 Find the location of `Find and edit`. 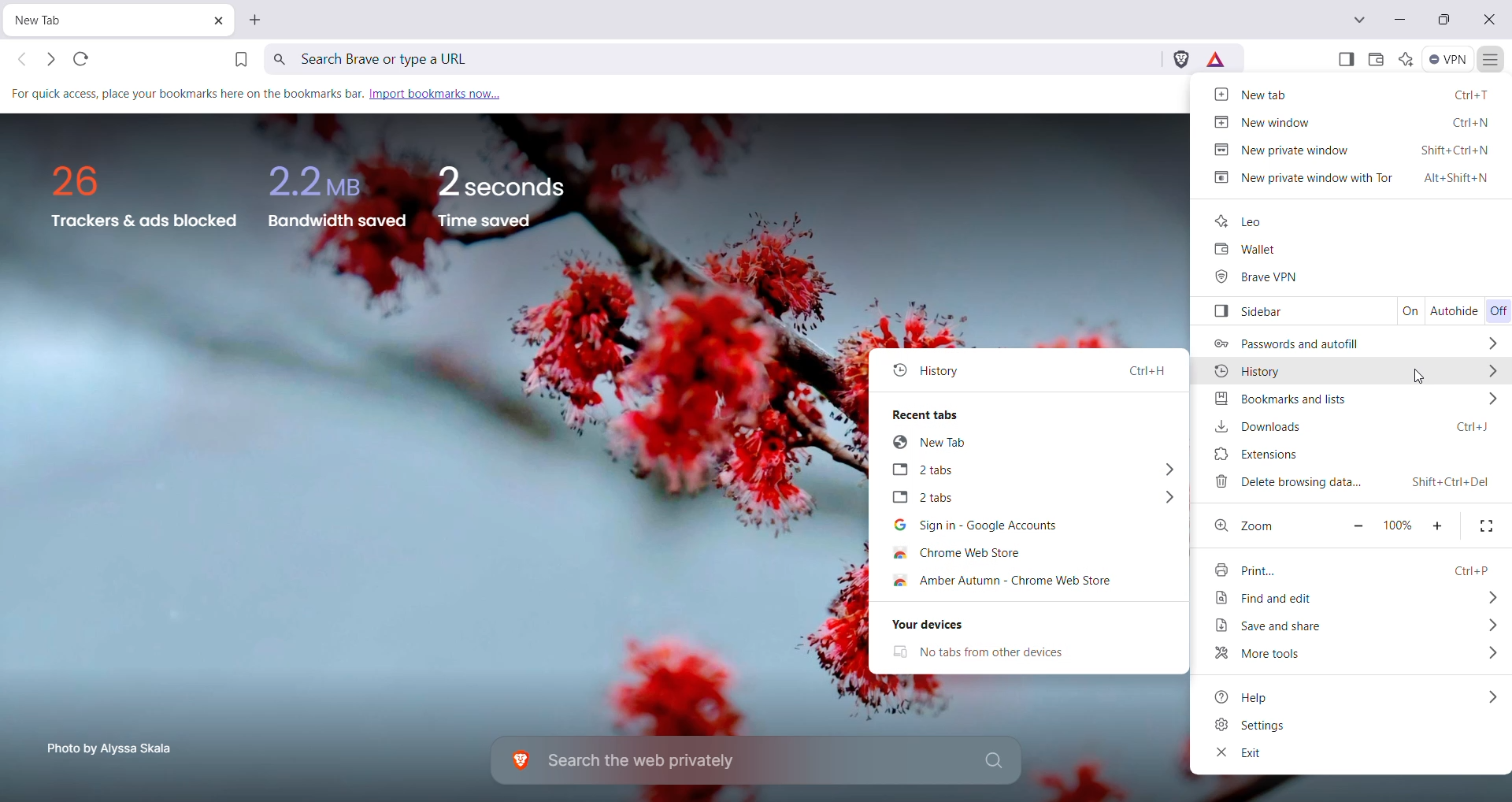

Find and edit is located at coordinates (1357, 598).